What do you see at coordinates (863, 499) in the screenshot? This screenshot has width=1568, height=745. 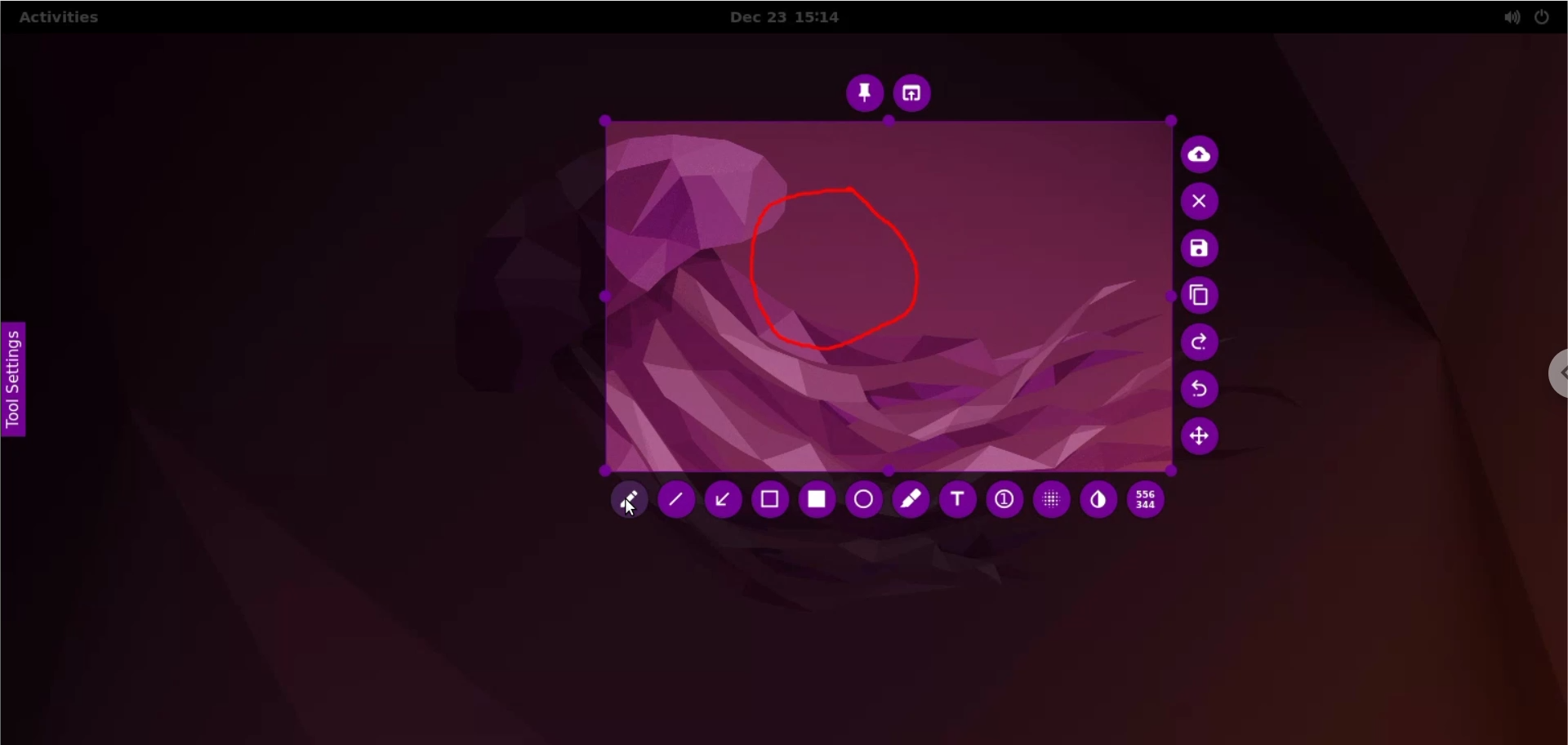 I see `circle tool` at bounding box center [863, 499].